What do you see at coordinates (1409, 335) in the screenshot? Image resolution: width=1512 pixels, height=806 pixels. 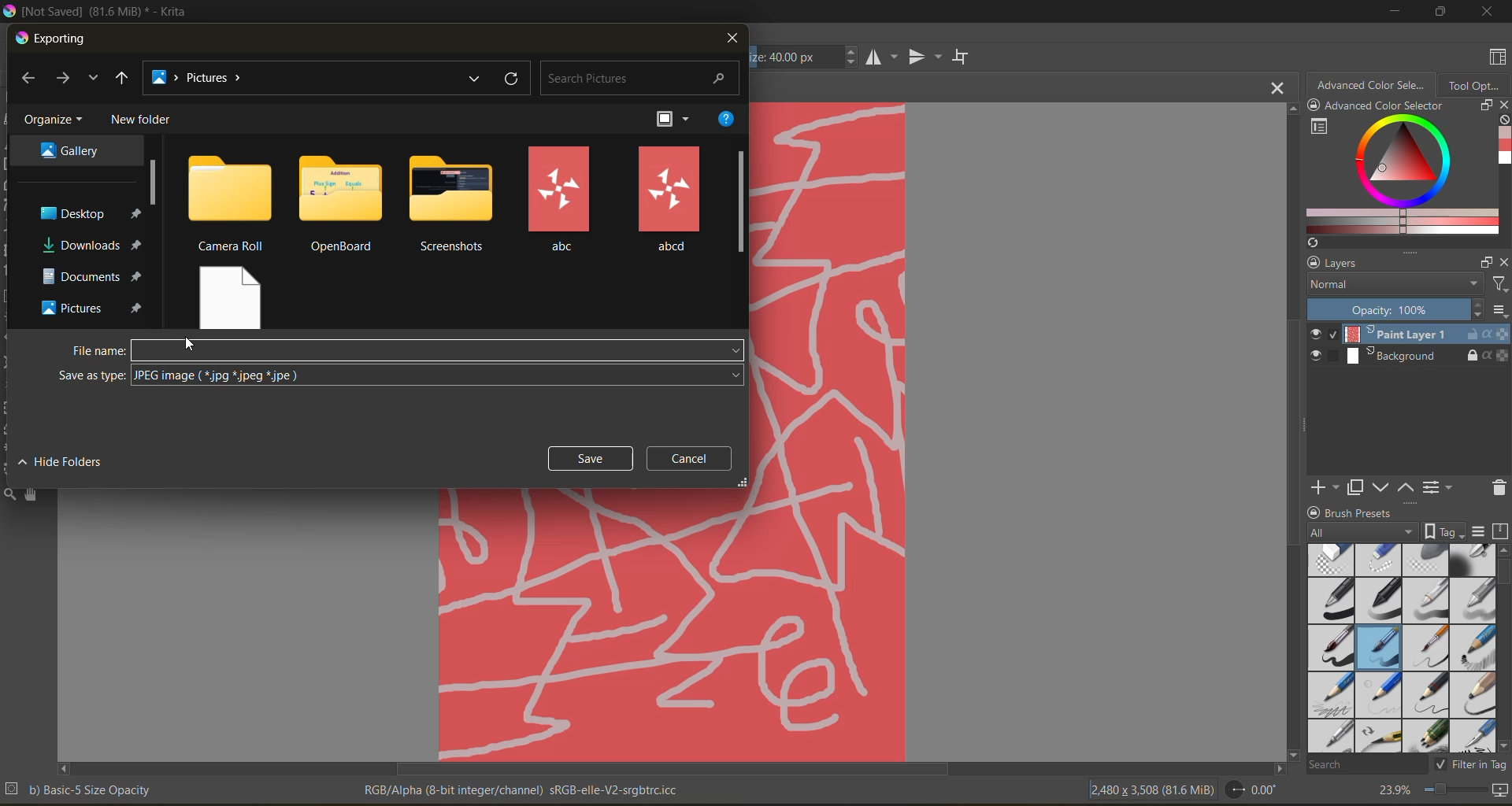 I see `layer` at bounding box center [1409, 335].